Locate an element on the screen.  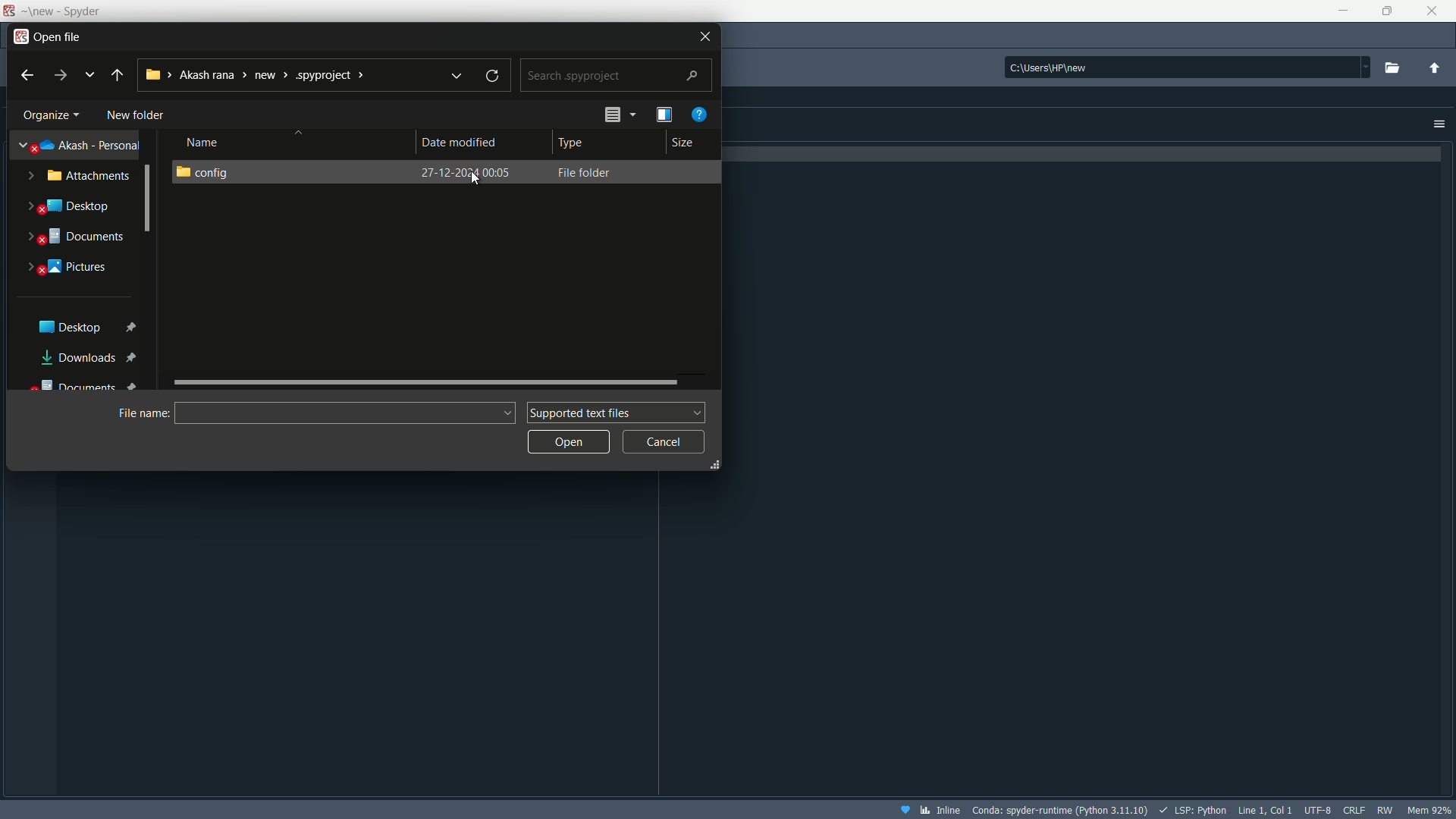
memory usage is located at coordinates (1429, 811).